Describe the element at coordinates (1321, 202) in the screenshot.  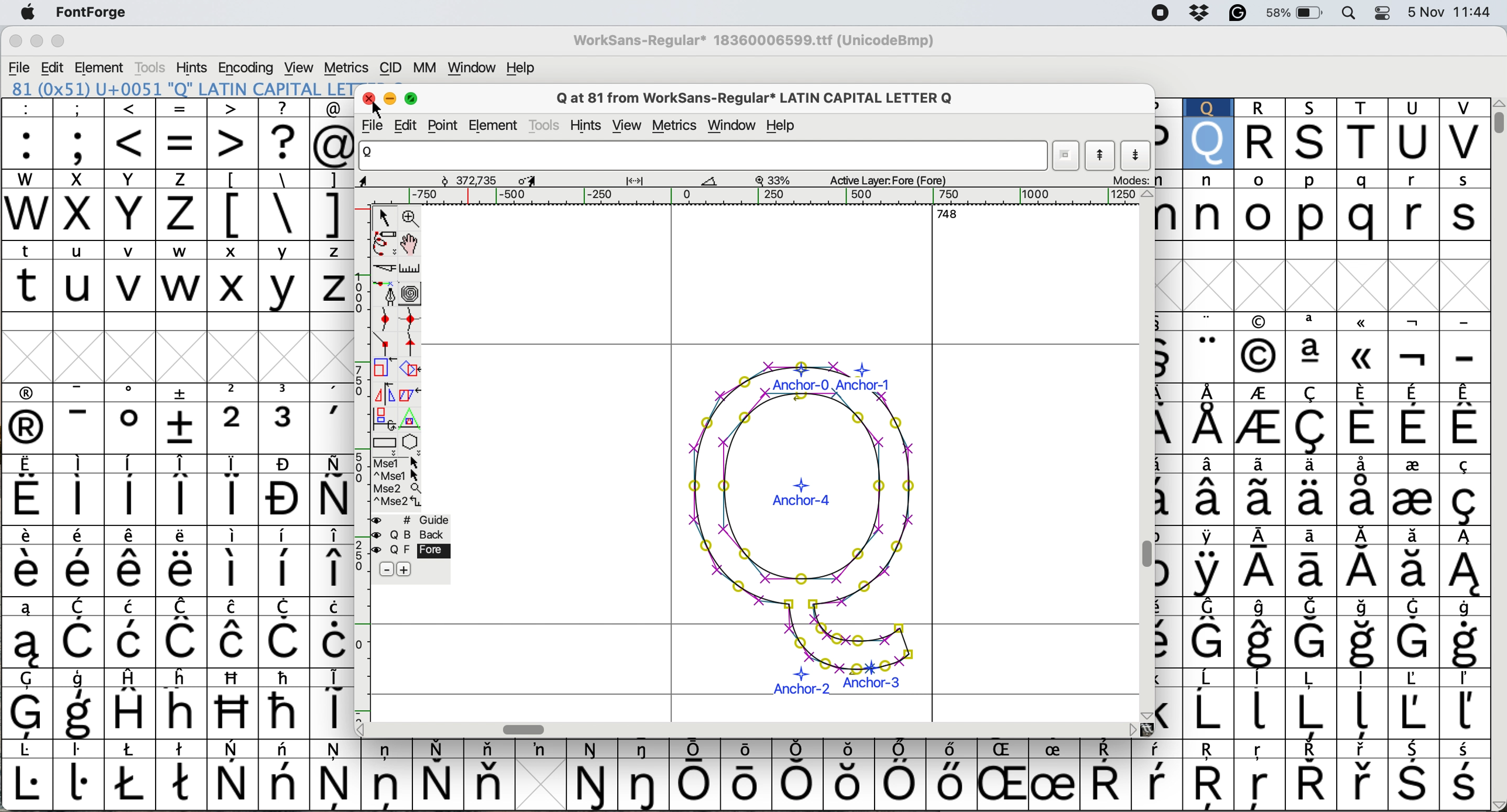
I see `lowercase letters` at that location.